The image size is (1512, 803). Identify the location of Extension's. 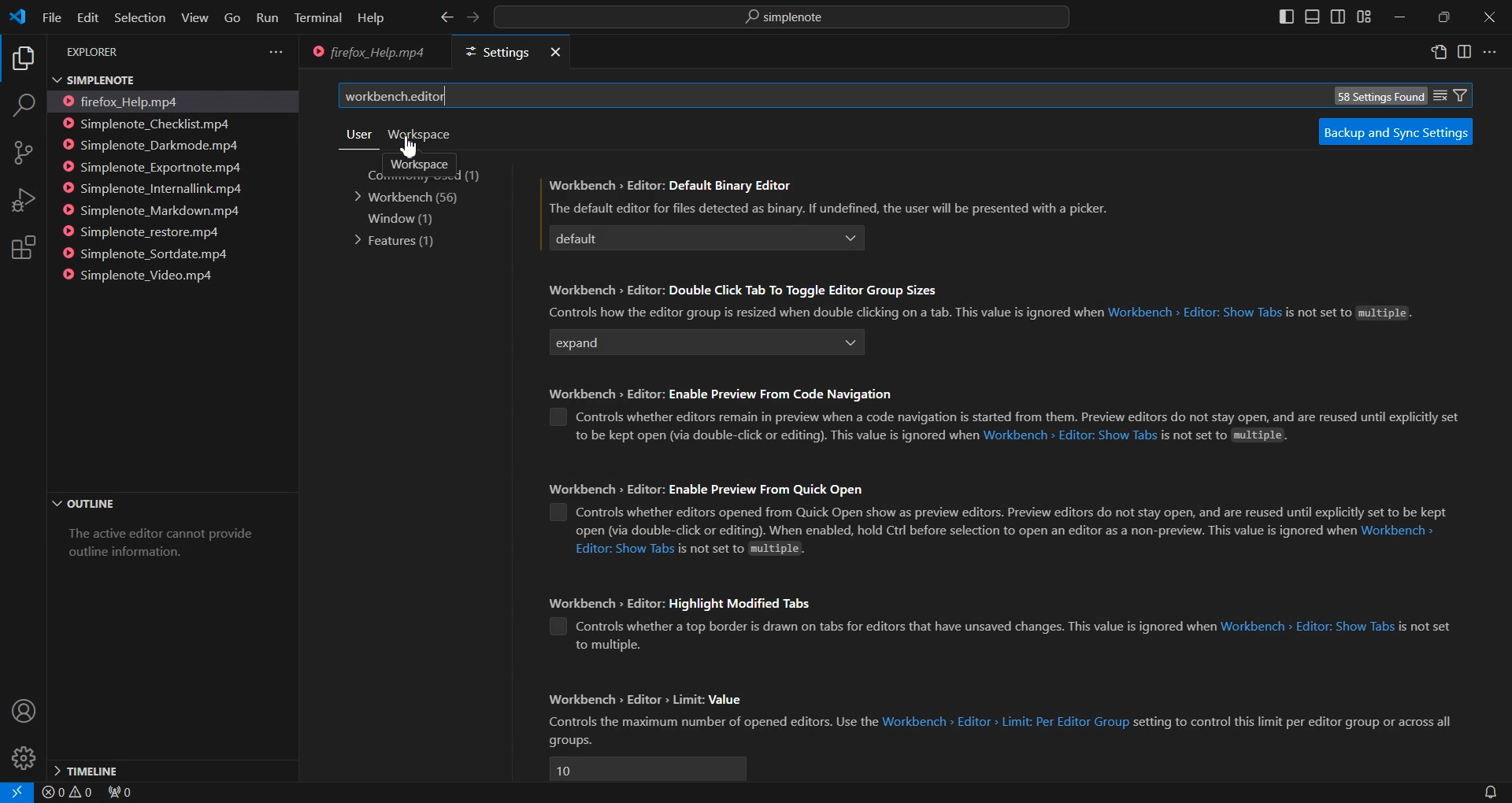
(24, 249).